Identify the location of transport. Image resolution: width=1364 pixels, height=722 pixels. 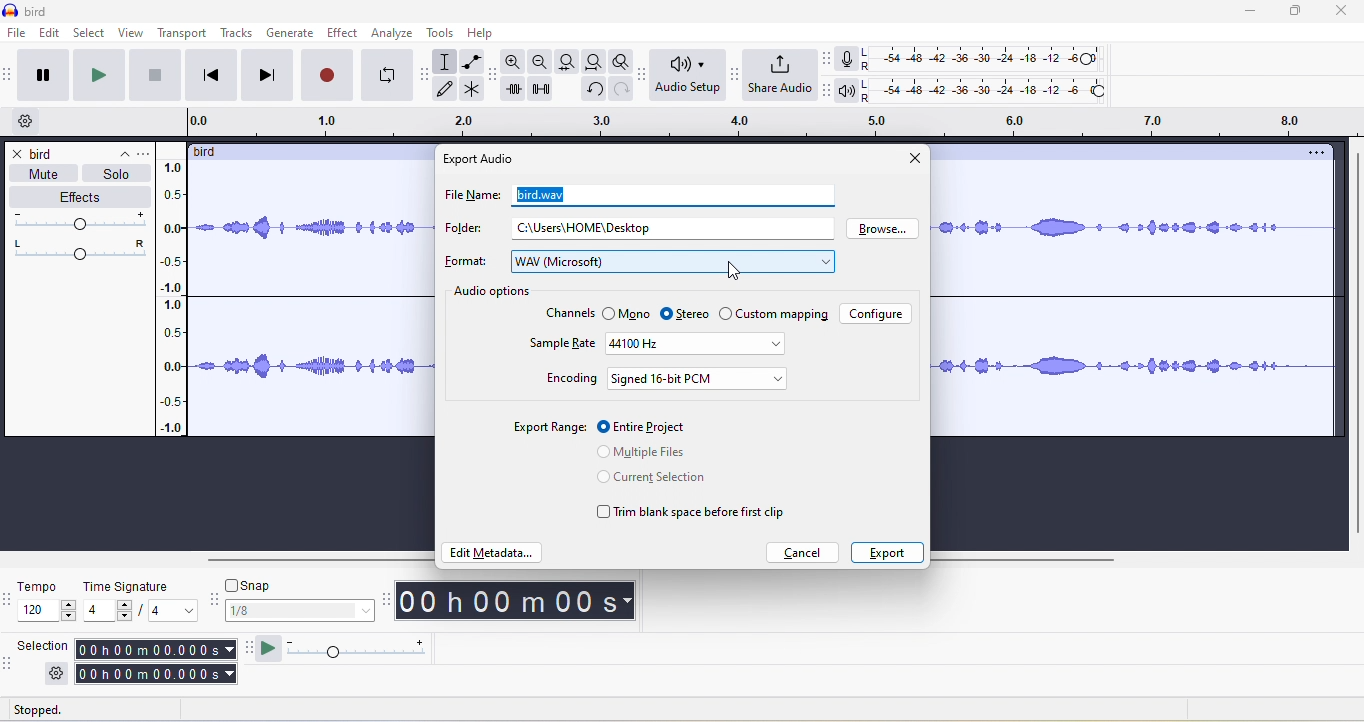
(183, 33).